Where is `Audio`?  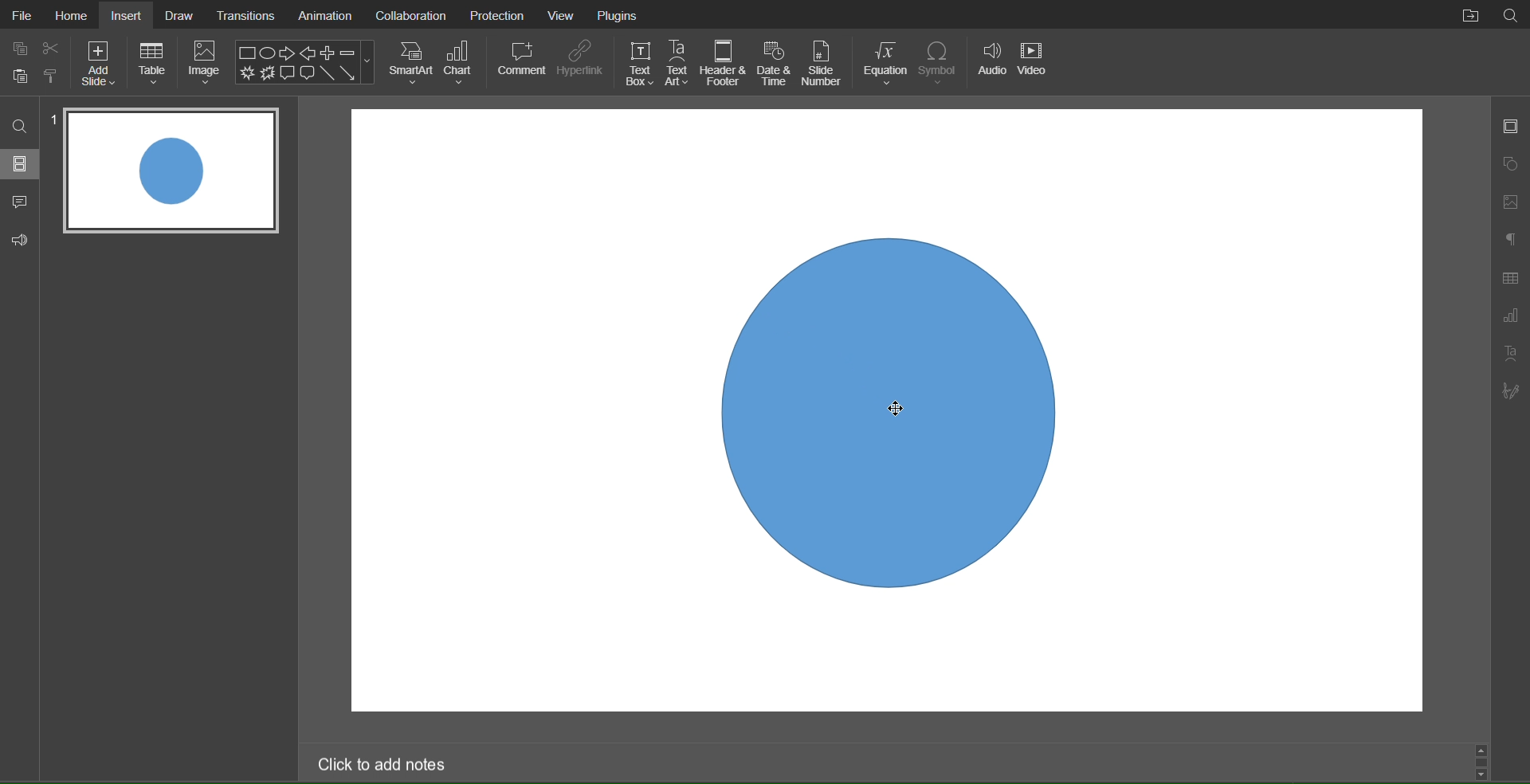
Audio is located at coordinates (992, 64).